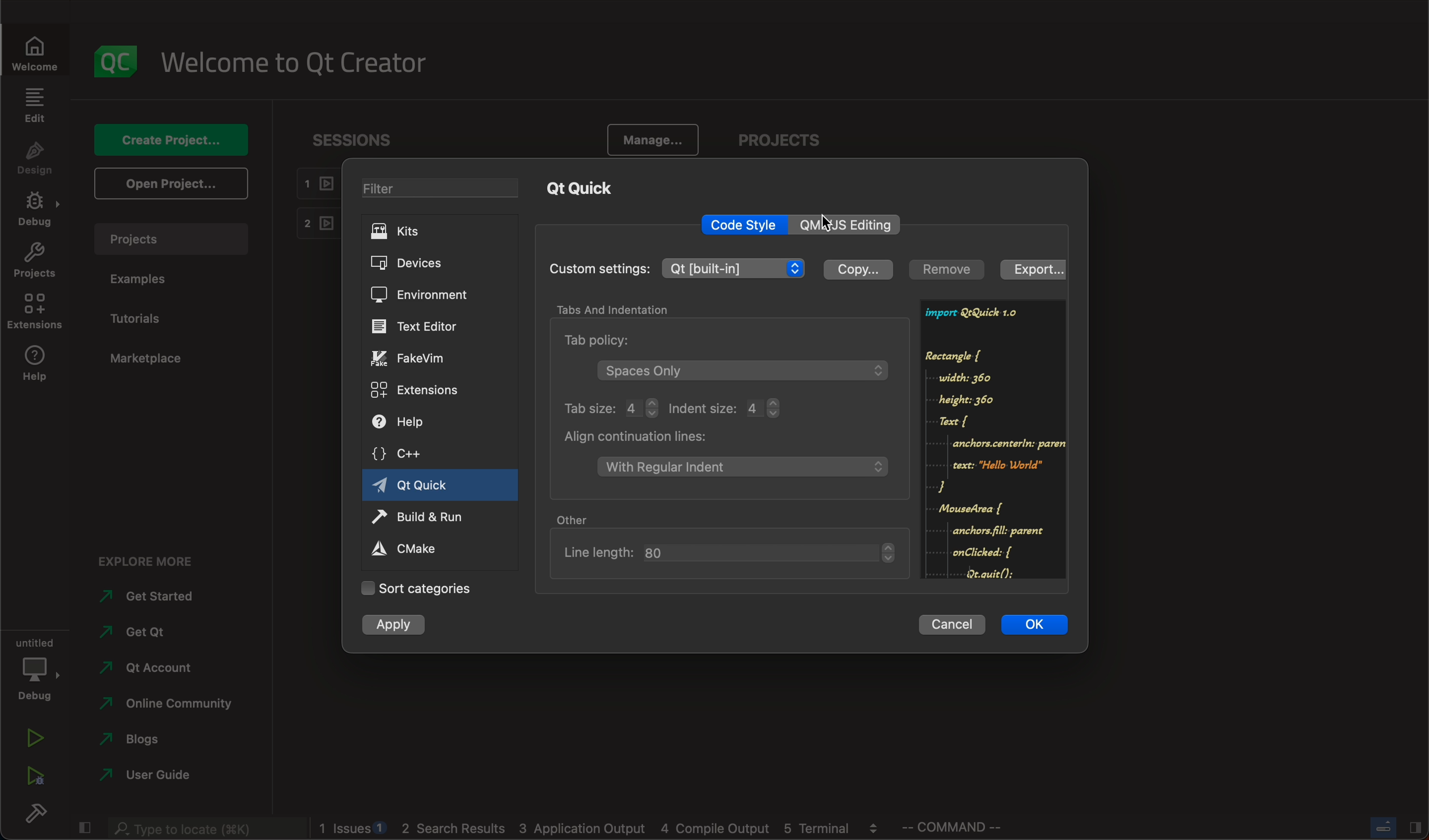  Describe the element at coordinates (420, 326) in the screenshot. I see `editor` at that location.